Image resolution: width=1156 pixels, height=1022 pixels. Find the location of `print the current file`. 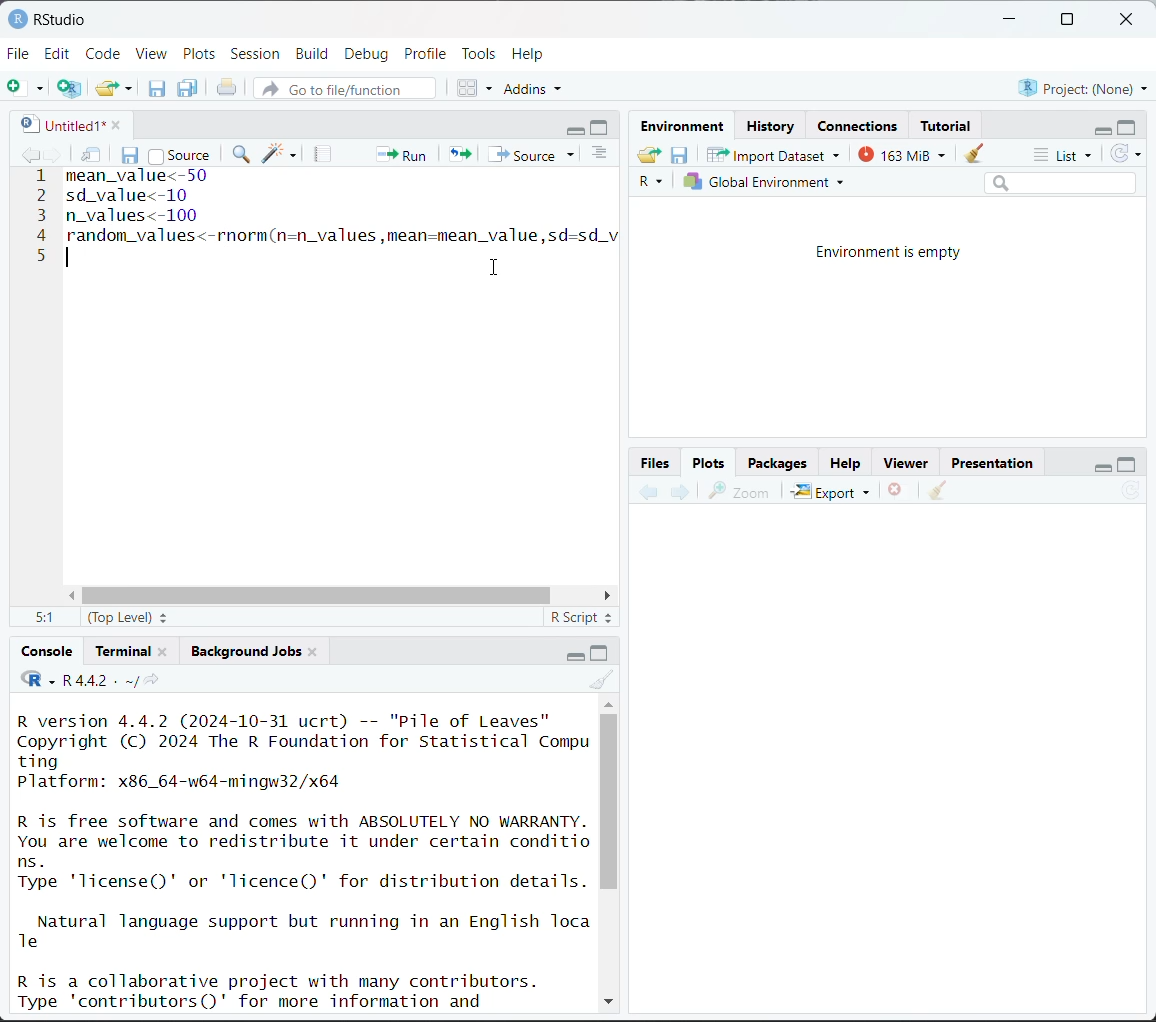

print the current file is located at coordinates (228, 88).